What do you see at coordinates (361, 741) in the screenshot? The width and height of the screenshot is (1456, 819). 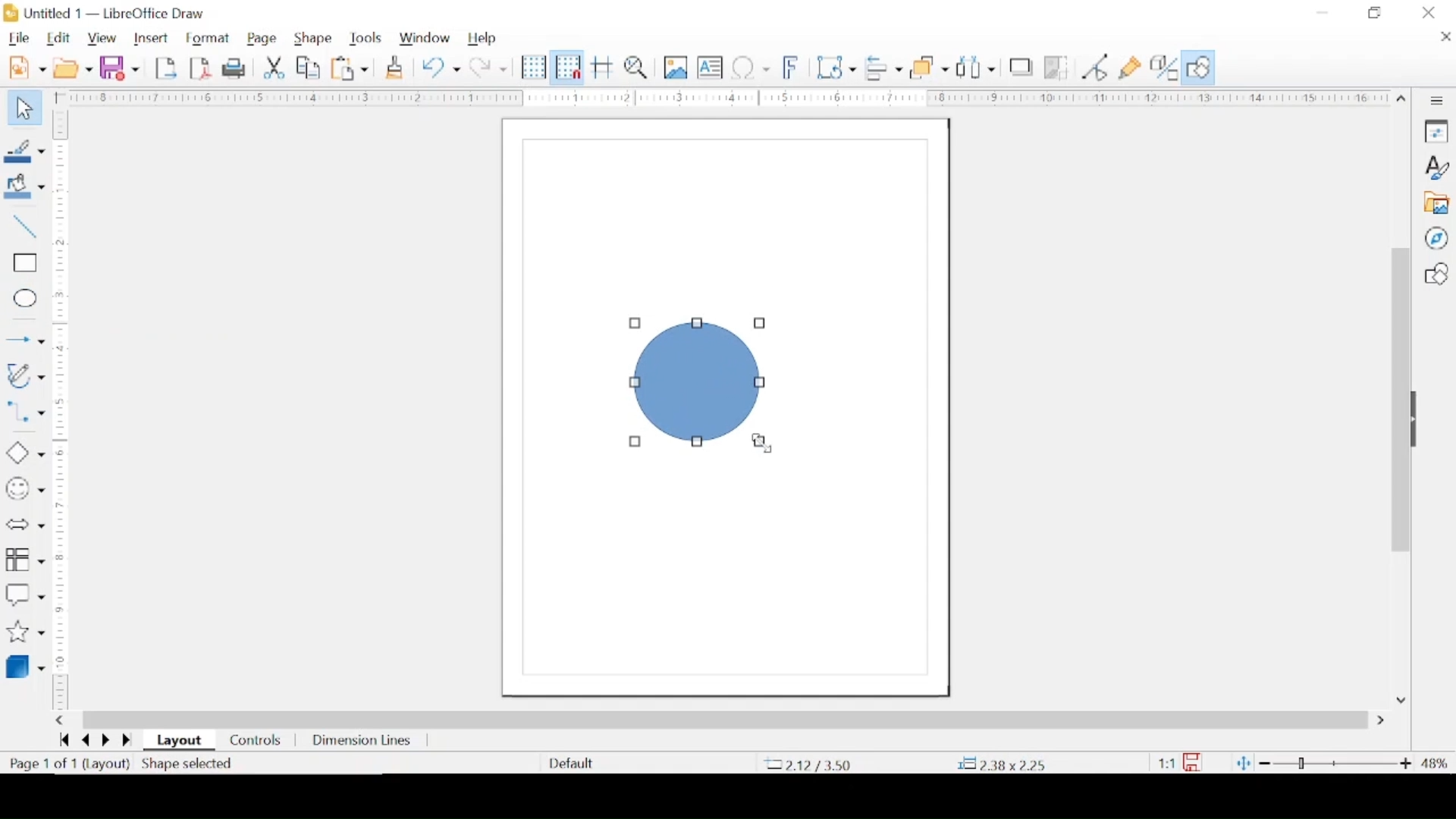 I see `dimension lines` at bounding box center [361, 741].